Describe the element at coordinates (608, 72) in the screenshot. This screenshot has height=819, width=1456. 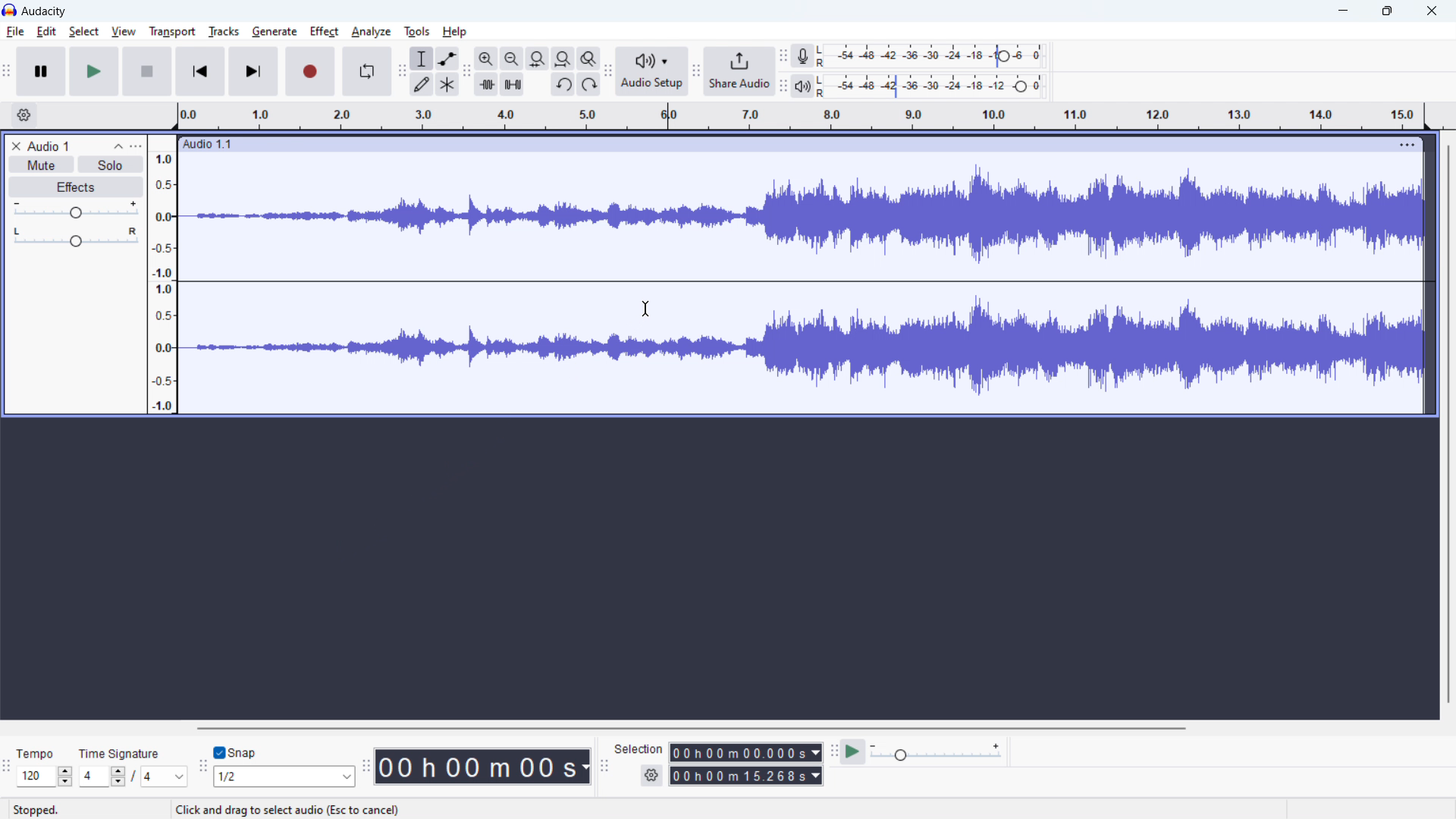
I see `Audio setup toolbar` at that location.